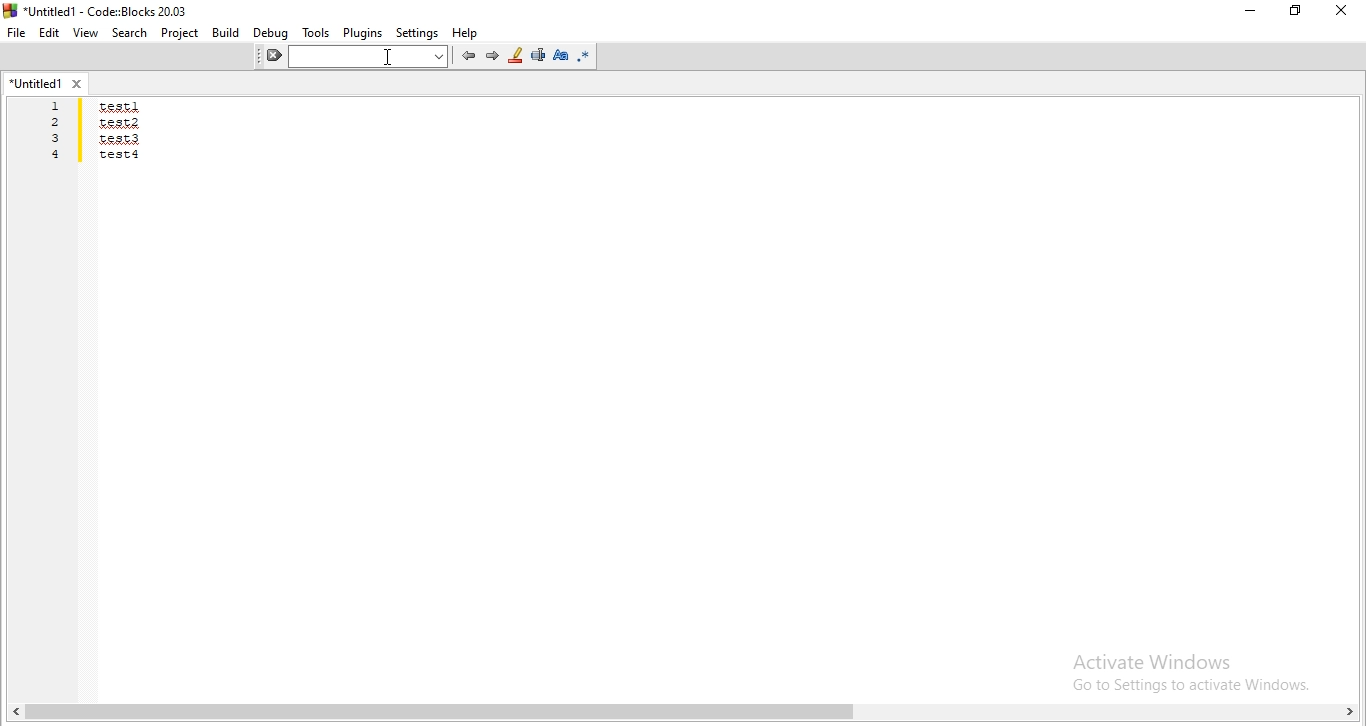 This screenshot has width=1366, height=726. What do you see at coordinates (15, 32) in the screenshot?
I see `File` at bounding box center [15, 32].